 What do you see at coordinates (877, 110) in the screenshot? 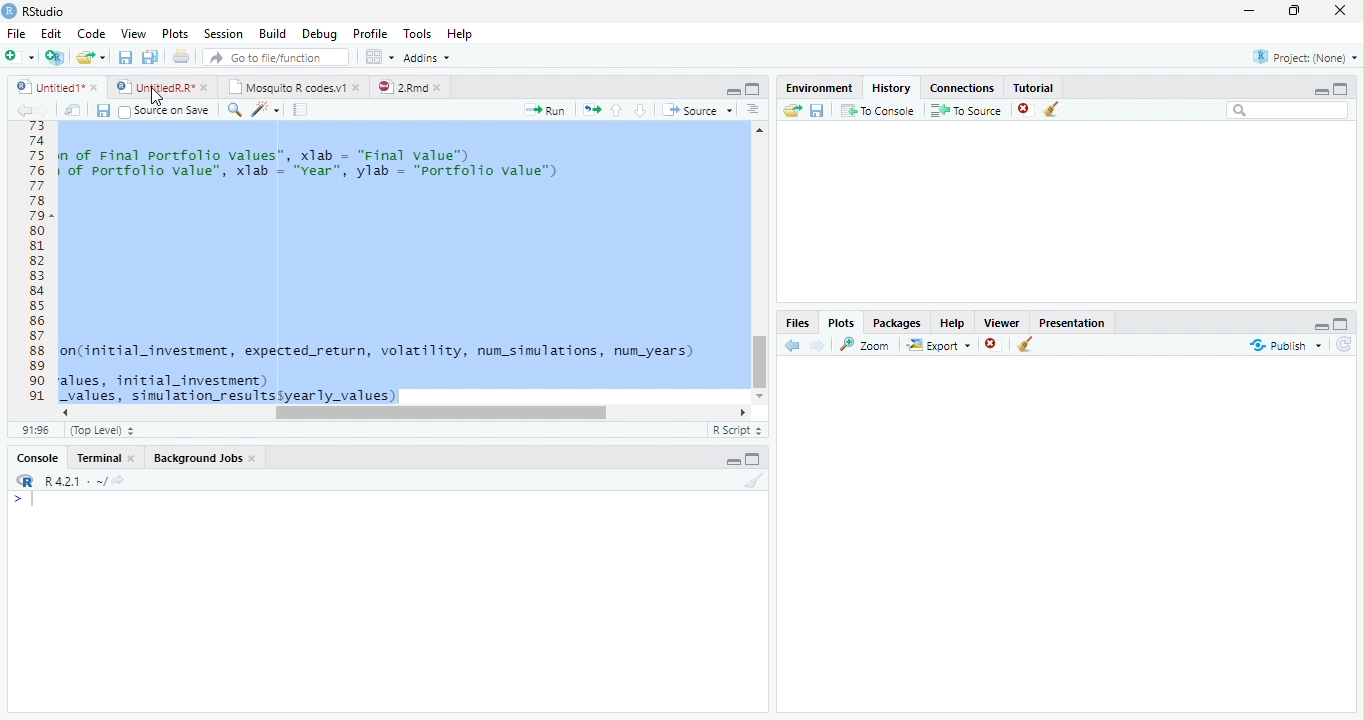
I see `To Console` at bounding box center [877, 110].